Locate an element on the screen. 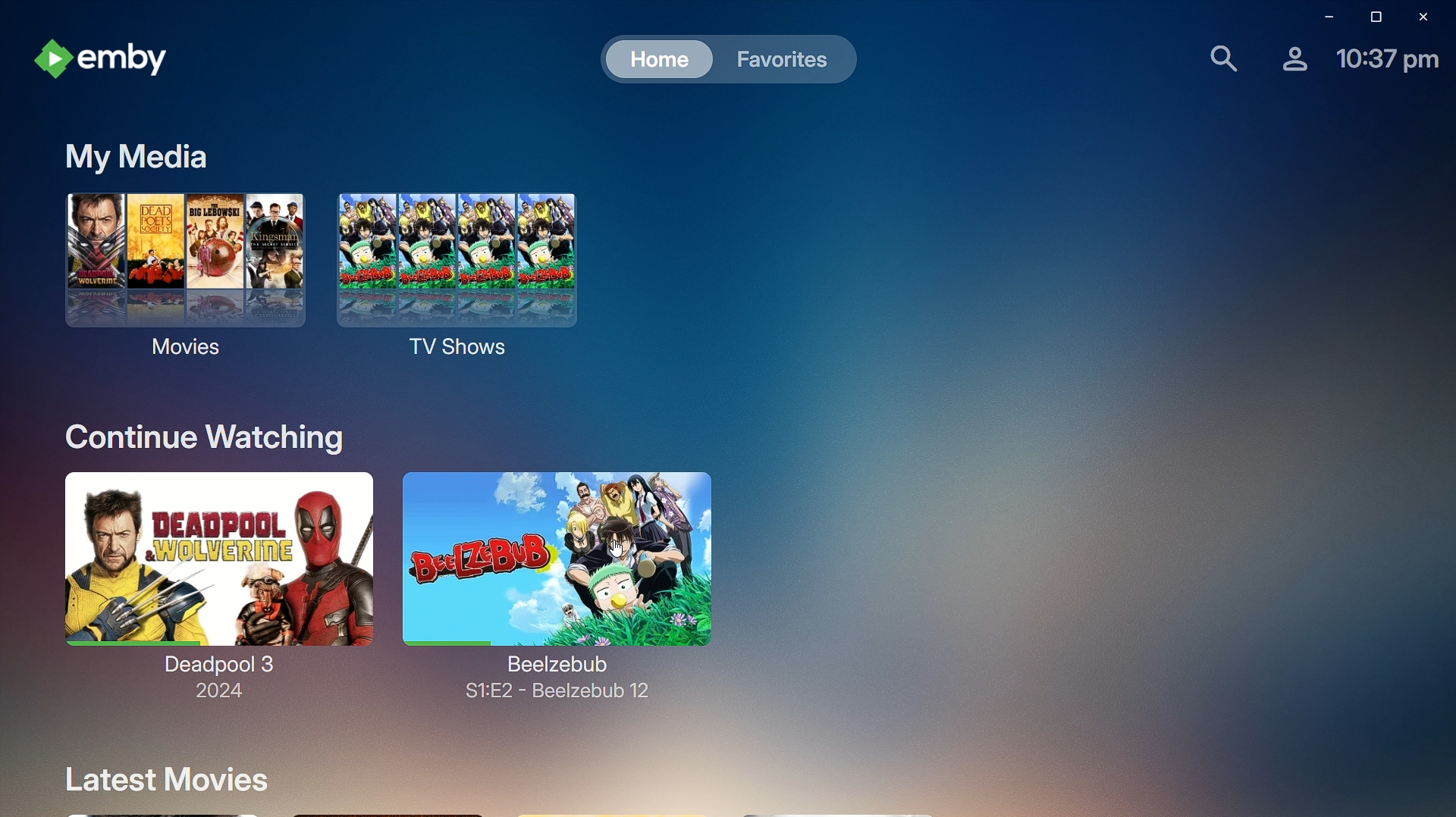 The width and height of the screenshot is (1456, 817). cursor is located at coordinates (617, 547).